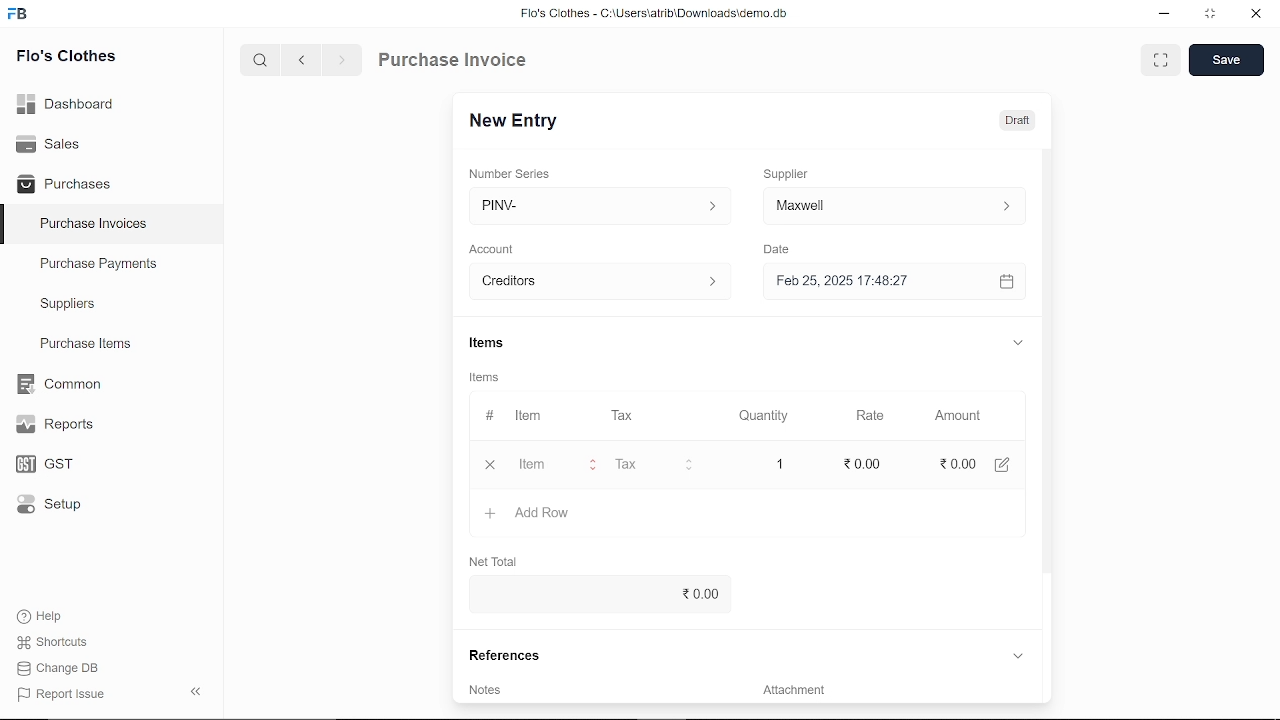 The height and width of the screenshot is (720, 1280). Describe the element at coordinates (1162, 14) in the screenshot. I see `minimize` at that location.